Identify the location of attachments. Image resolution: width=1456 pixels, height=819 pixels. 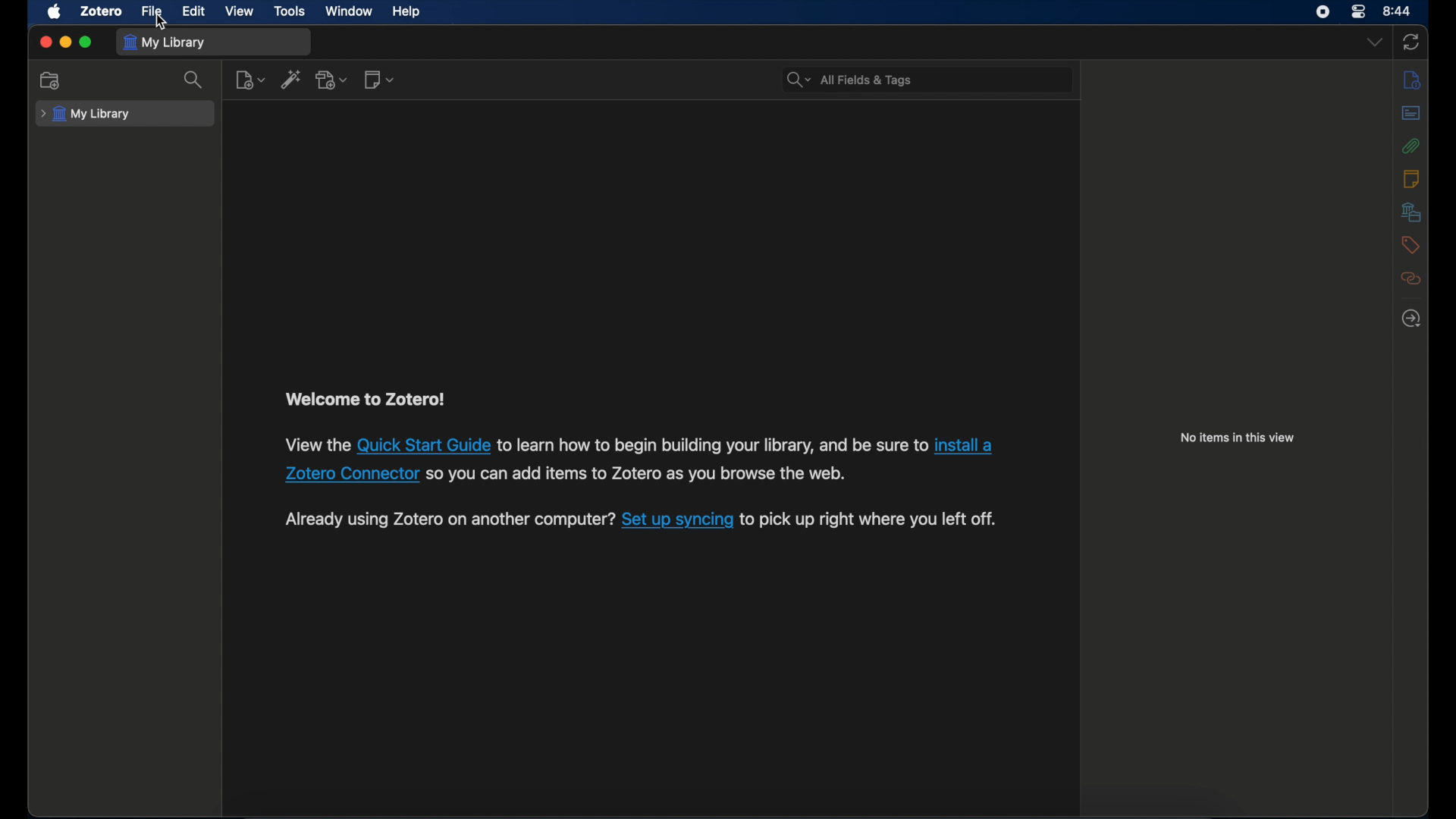
(1411, 146).